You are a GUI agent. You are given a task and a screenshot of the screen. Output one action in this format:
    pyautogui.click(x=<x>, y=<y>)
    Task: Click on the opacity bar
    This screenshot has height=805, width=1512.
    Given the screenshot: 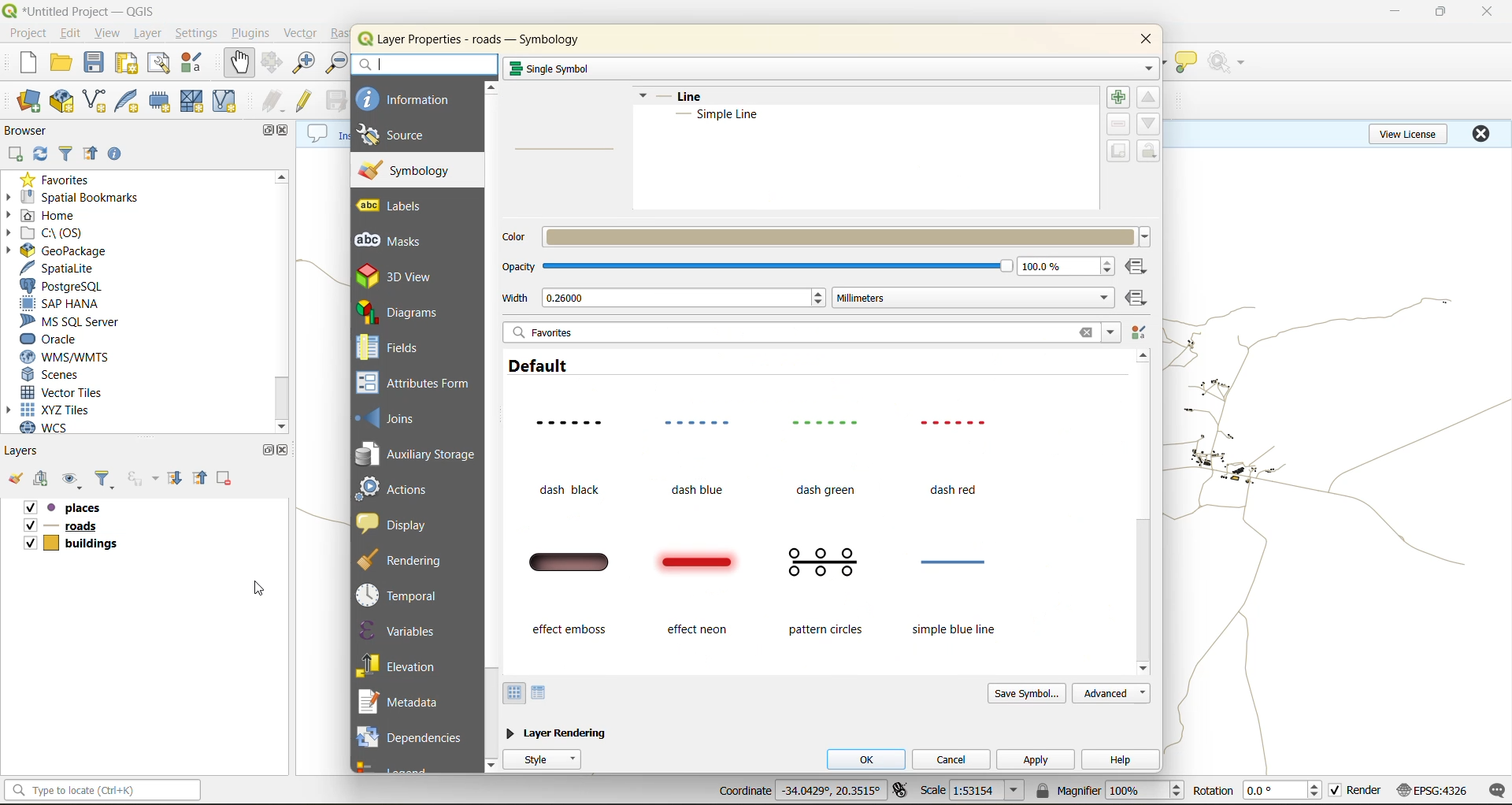 What is the action you would take?
    pyautogui.click(x=756, y=266)
    